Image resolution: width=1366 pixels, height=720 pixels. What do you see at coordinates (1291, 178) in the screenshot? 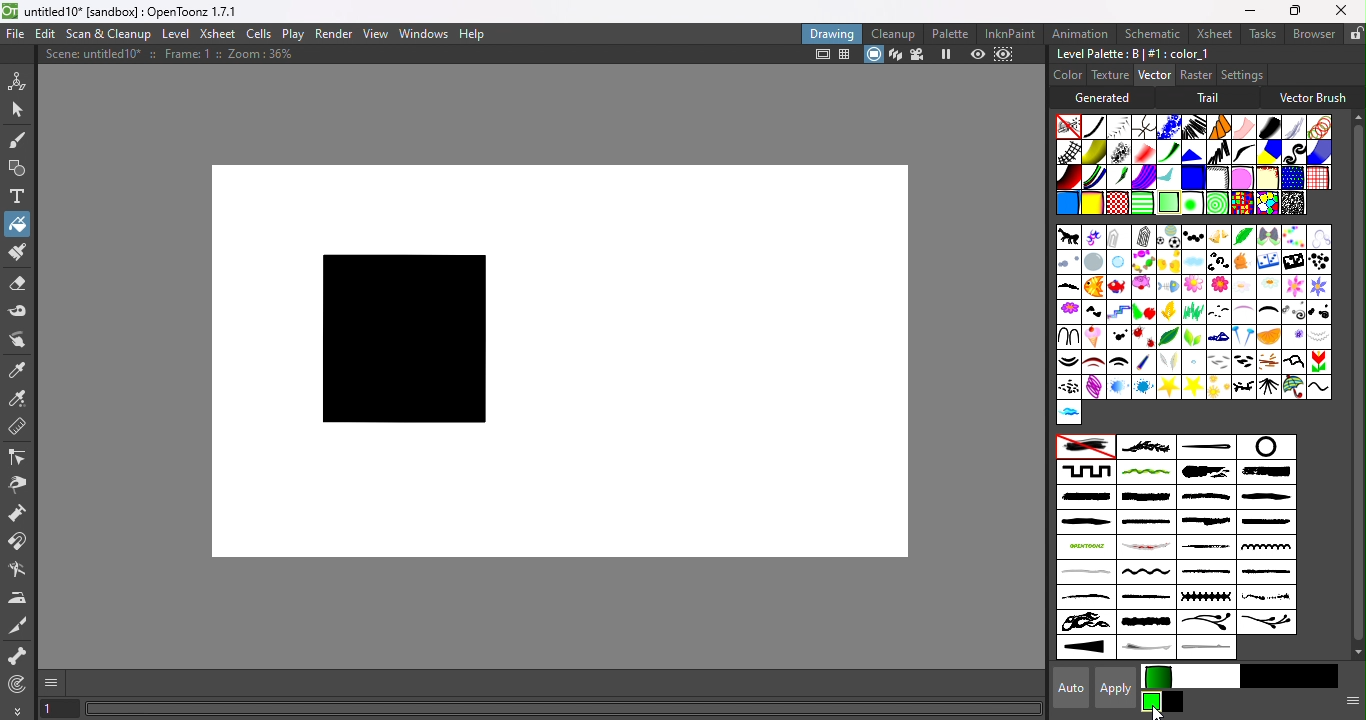
I see `Polka dots` at bounding box center [1291, 178].